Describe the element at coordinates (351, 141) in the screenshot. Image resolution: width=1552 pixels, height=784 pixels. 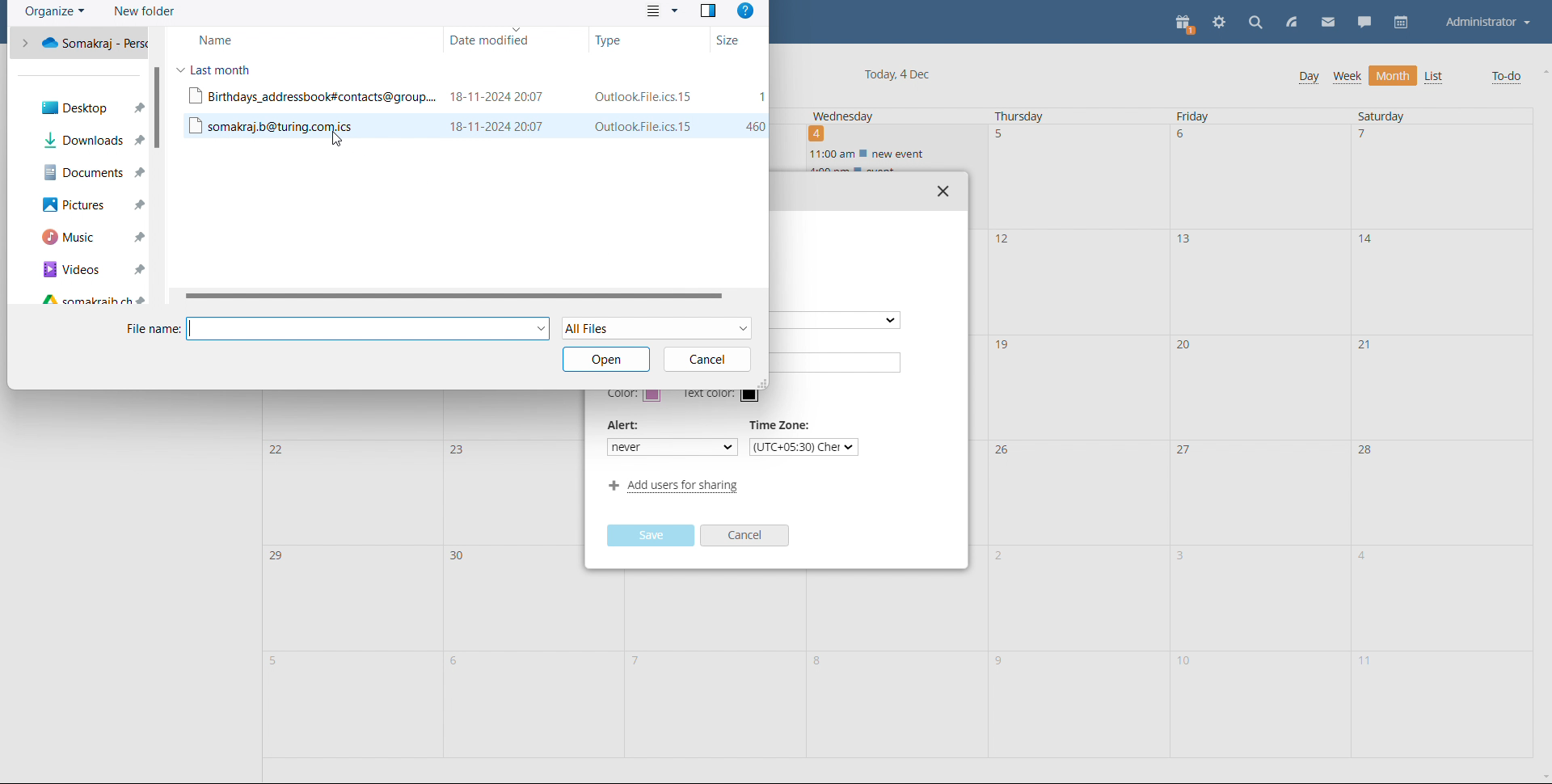
I see `cursor` at that location.